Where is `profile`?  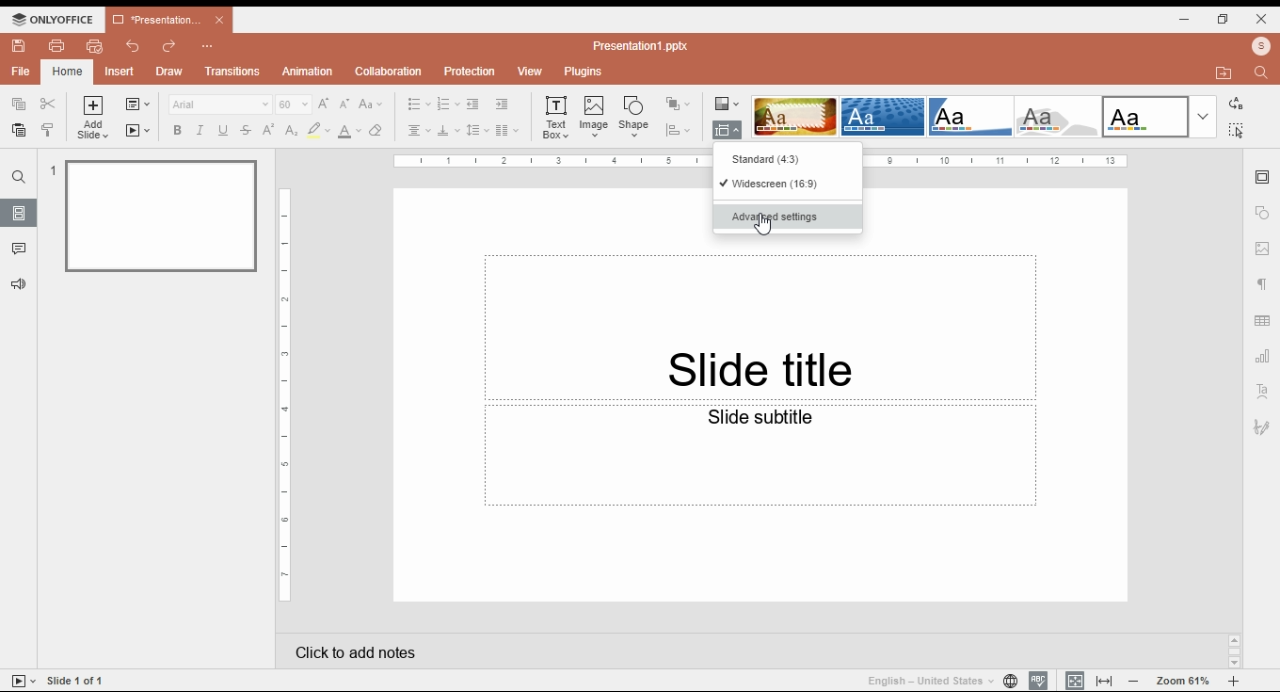 profile is located at coordinates (1261, 46).